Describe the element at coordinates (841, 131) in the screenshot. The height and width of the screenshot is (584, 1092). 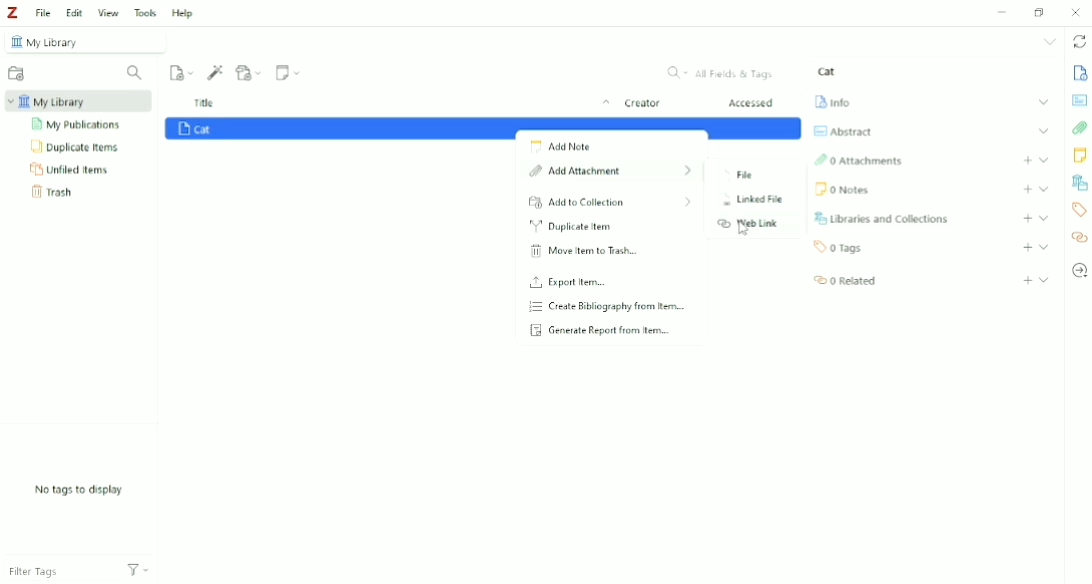
I see `Abstract` at that location.